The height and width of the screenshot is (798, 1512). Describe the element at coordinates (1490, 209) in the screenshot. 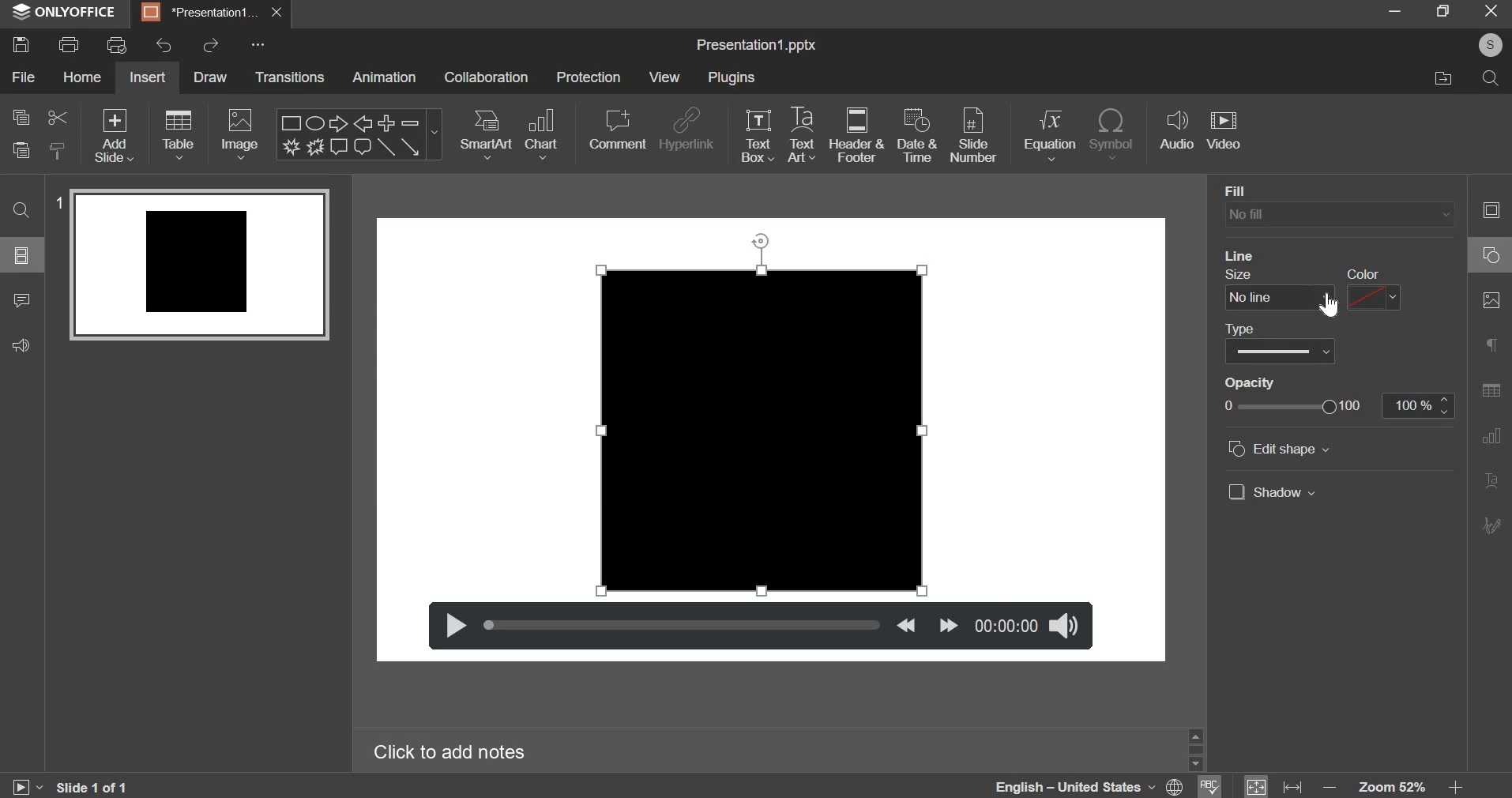

I see `Shapes` at that location.